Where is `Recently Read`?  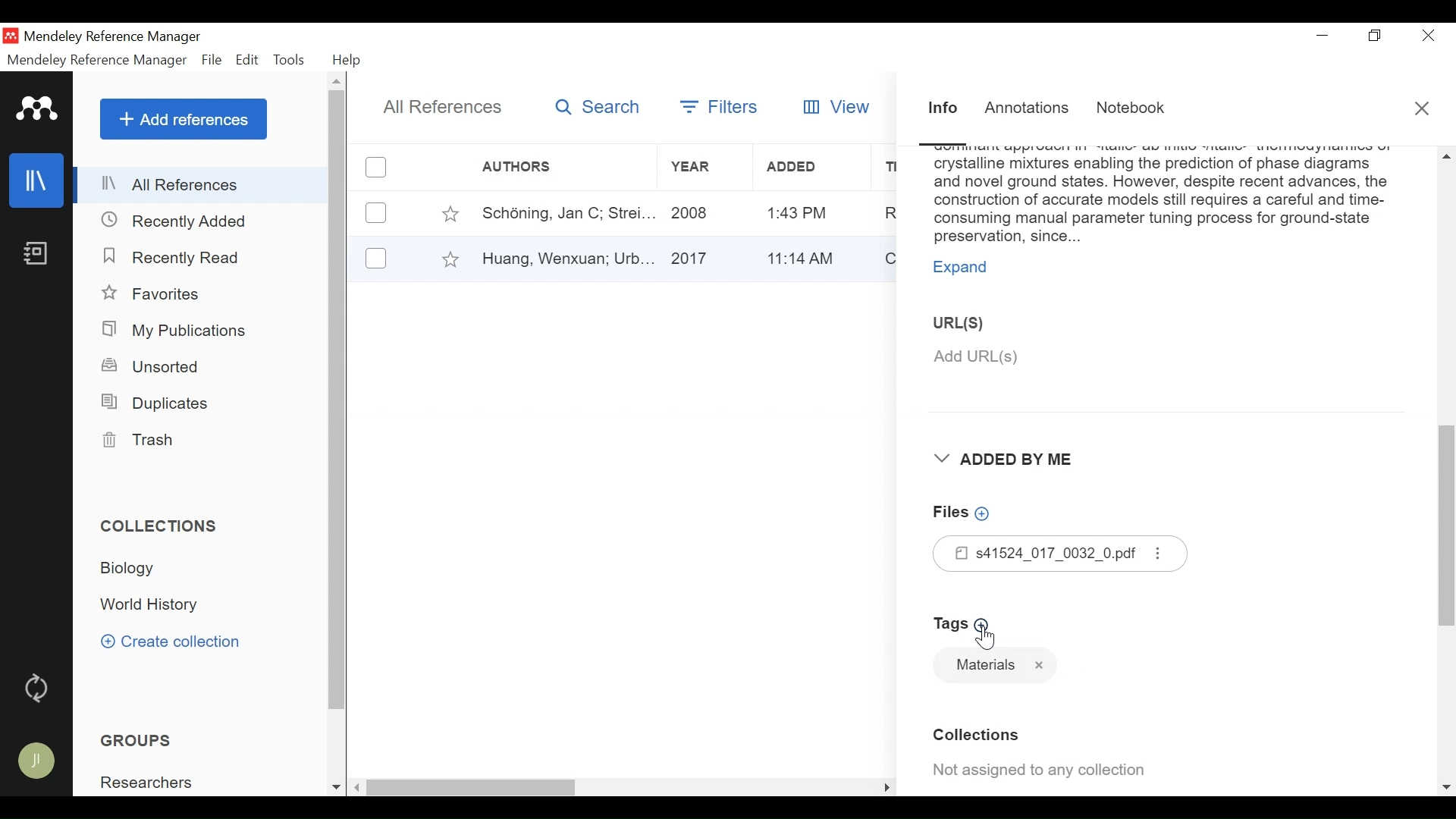
Recently Read is located at coordinates (180, 259).